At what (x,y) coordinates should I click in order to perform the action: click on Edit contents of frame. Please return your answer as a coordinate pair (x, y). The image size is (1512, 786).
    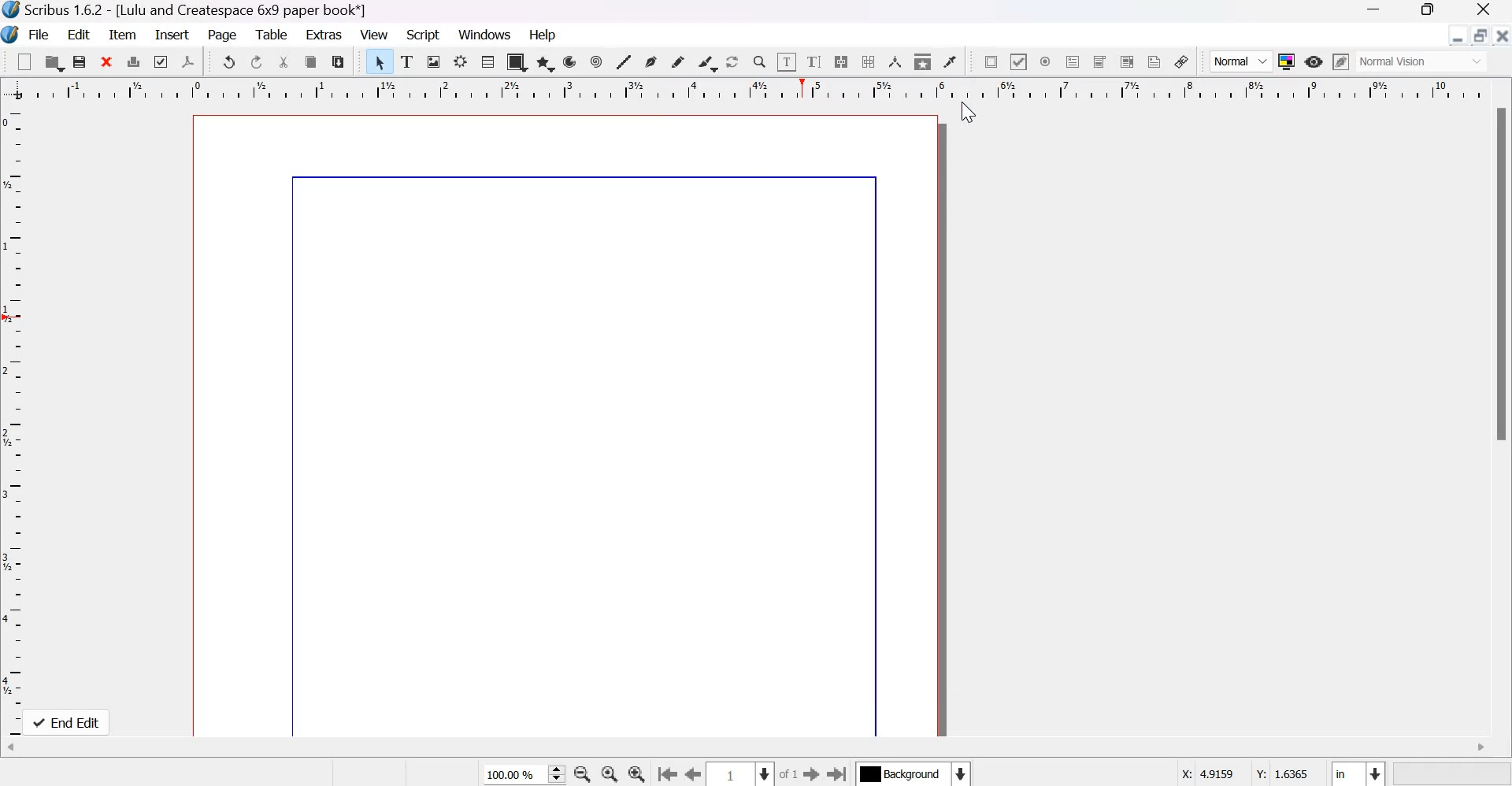
    Looking at the image, I should click on (786, 61).